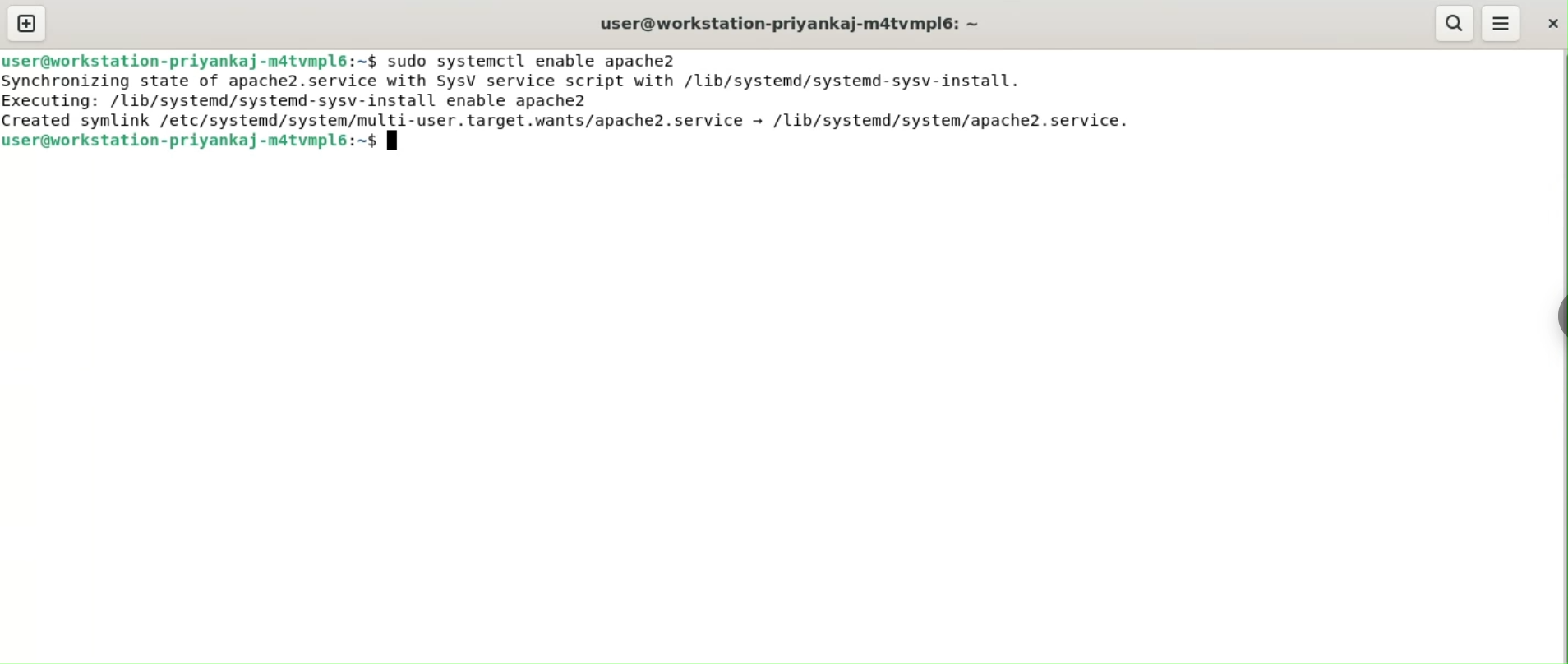 The height and width of the screenshot is (664, 1568). I want to click on close, so click(1550, 22).